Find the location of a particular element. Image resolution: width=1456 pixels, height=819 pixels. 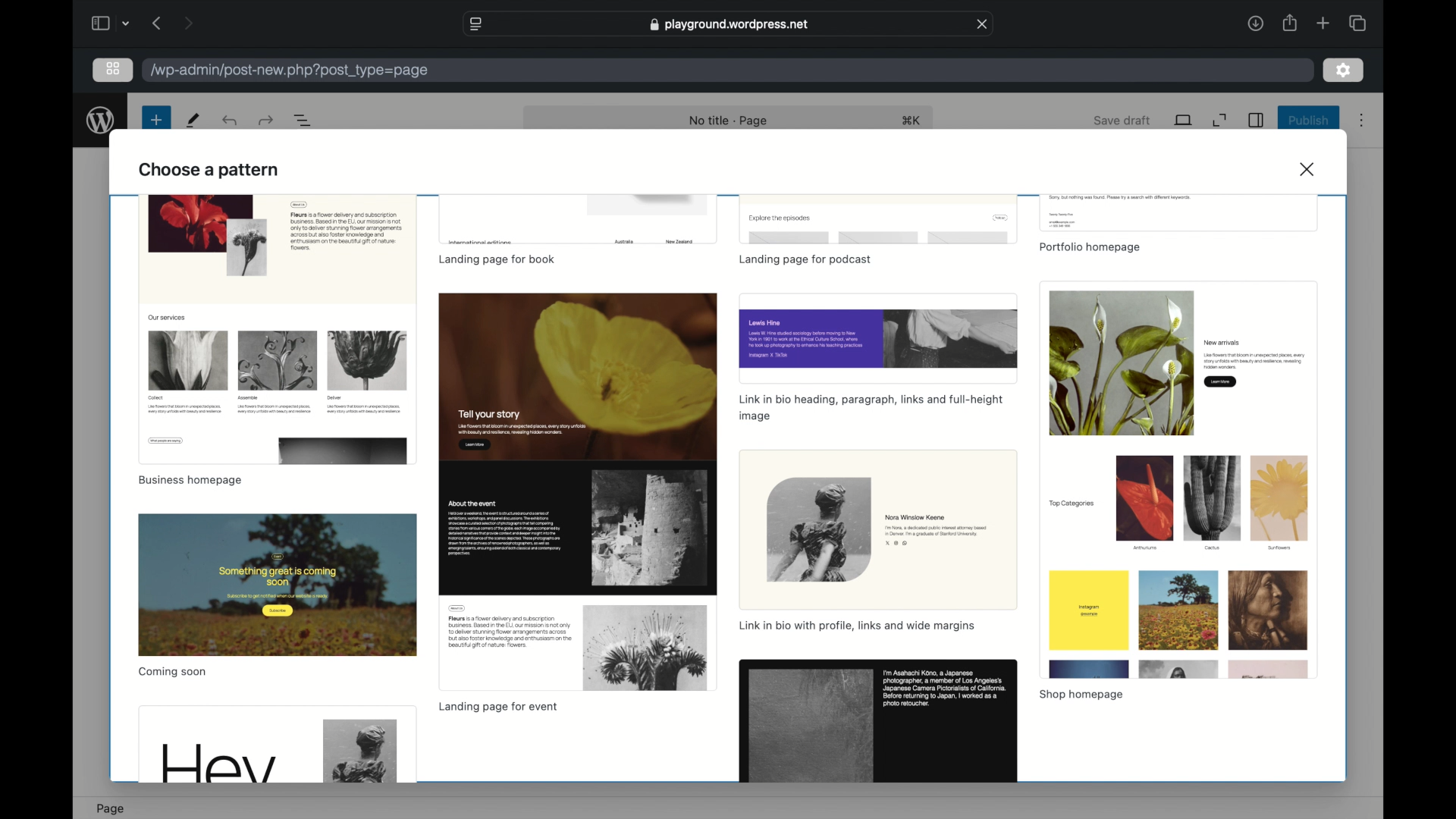

preview is located at coordinates (879, 218).